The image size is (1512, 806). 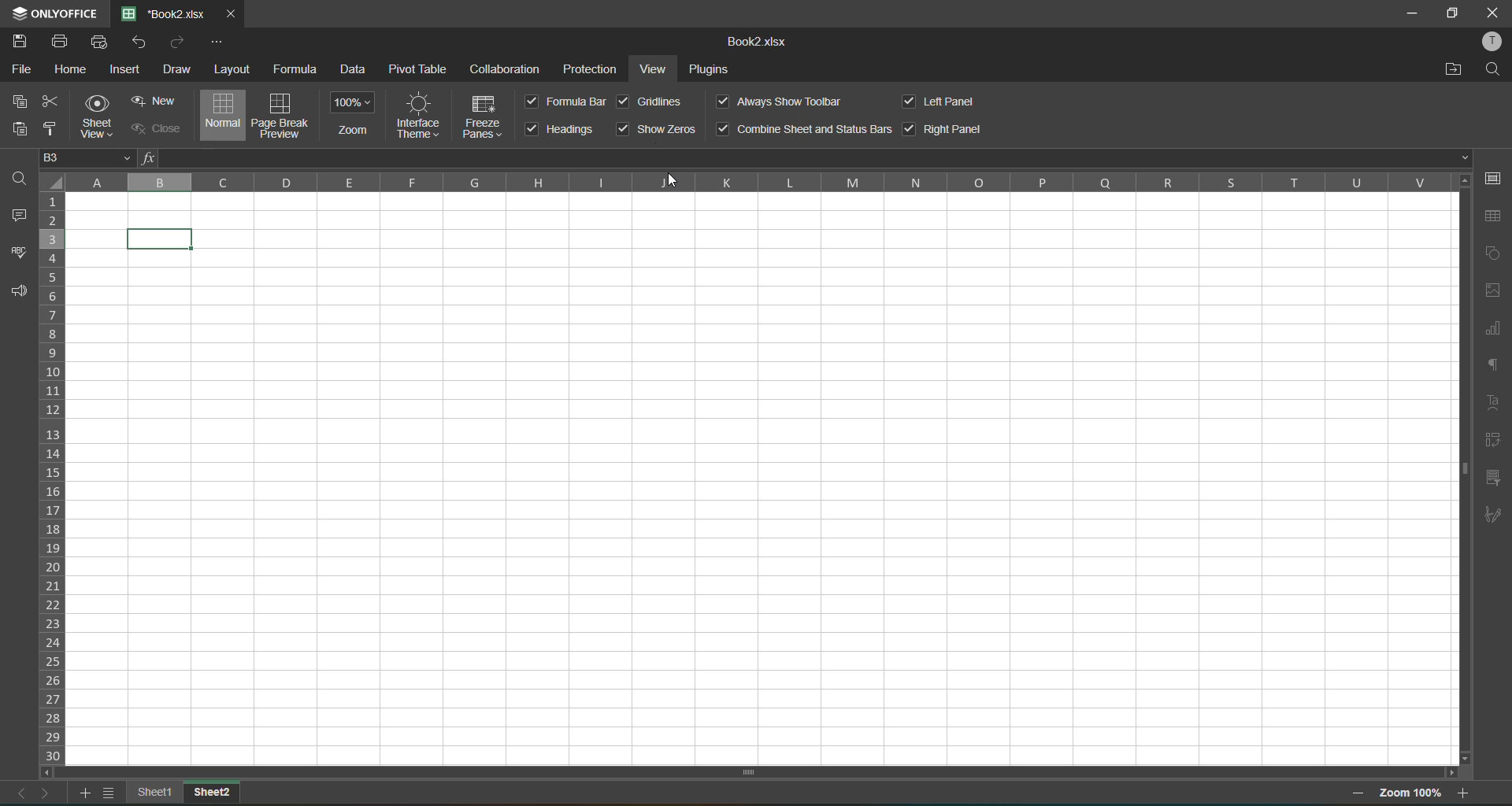 I want to click on scrollbar, so click(x=1464, y=467).